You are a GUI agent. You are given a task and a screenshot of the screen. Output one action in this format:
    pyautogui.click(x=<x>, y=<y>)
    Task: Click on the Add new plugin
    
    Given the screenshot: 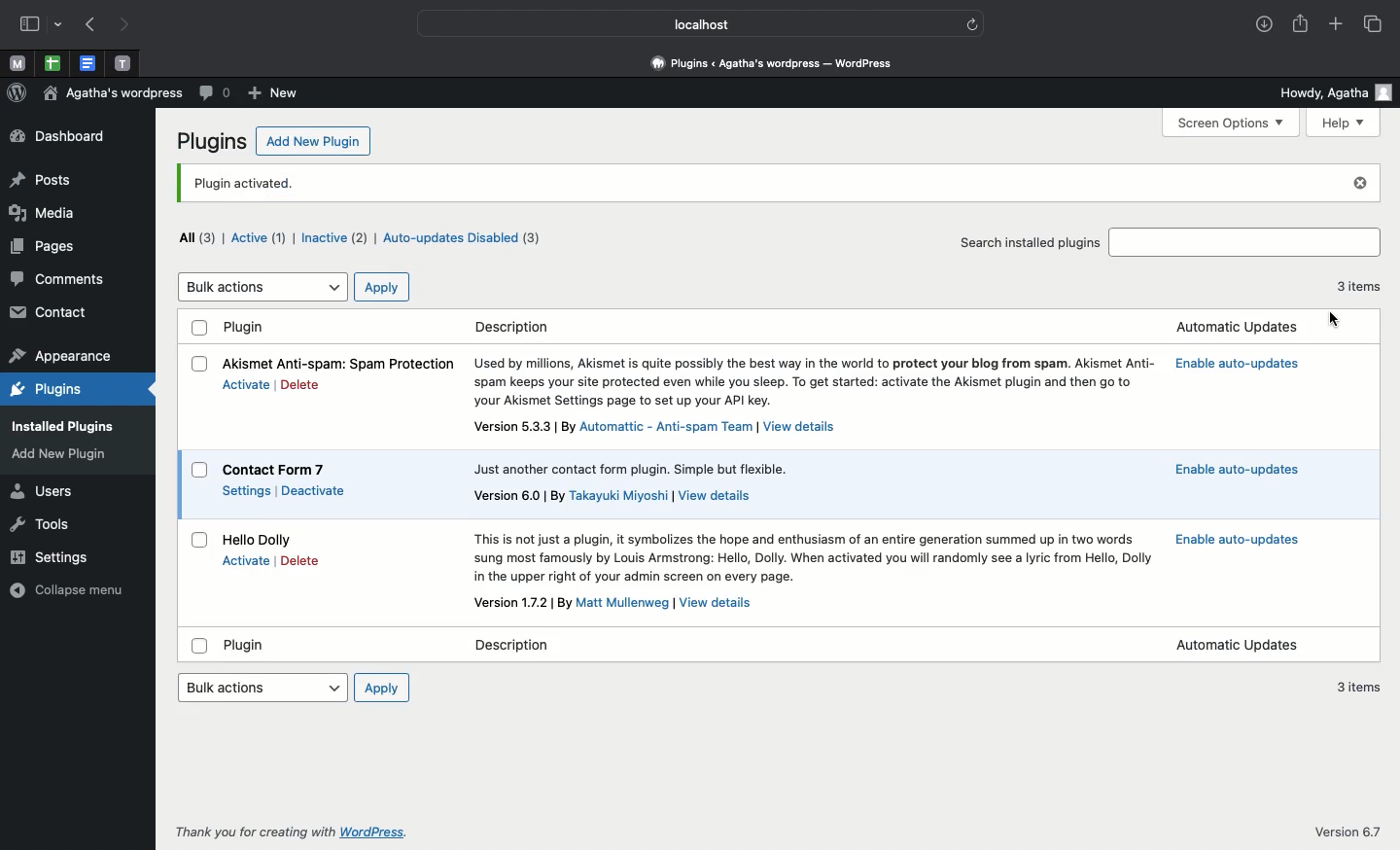 What is the action you would take?
    pyautogui.click(x=312, y=142)
    